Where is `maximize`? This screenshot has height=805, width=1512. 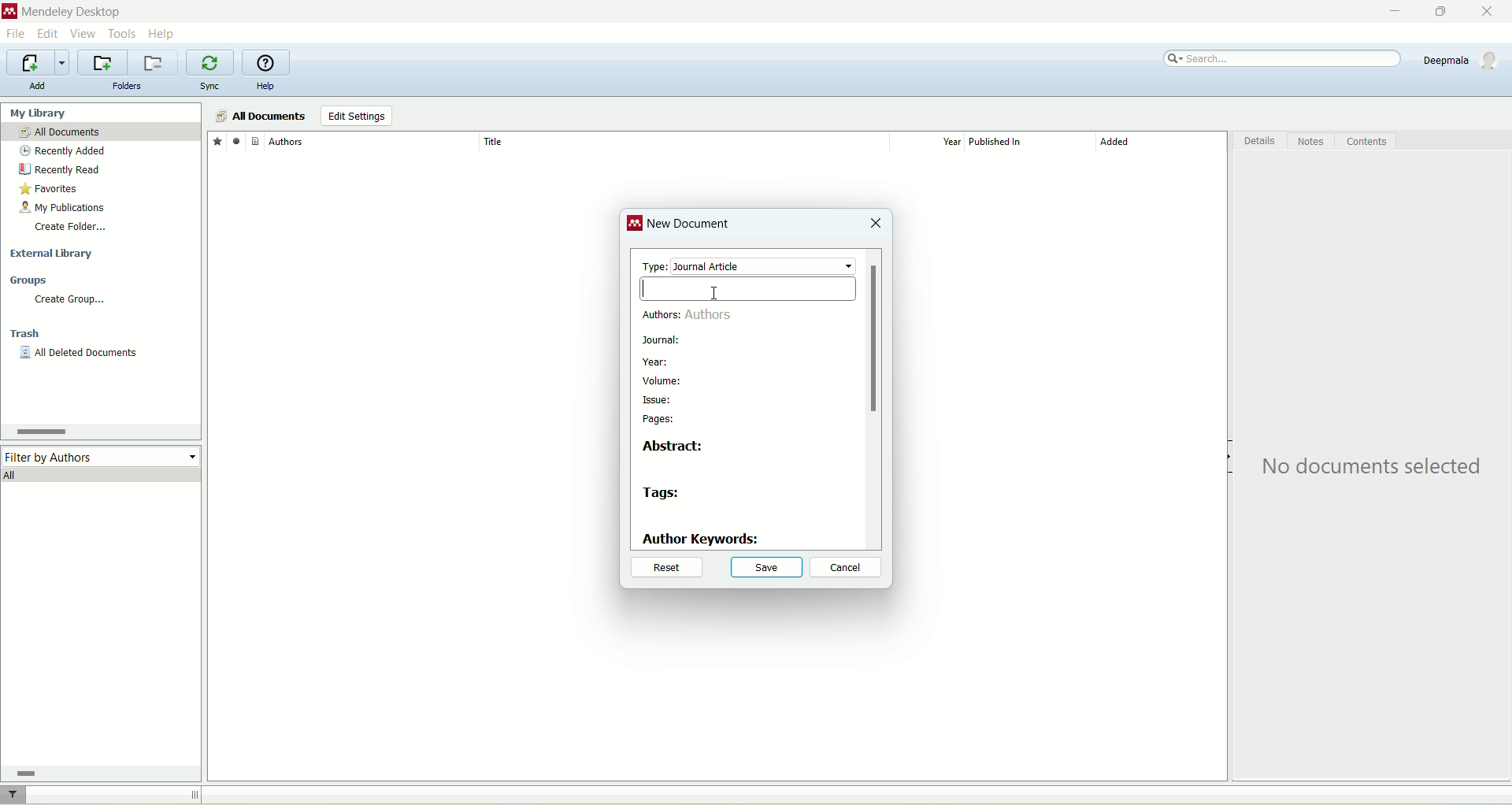 maximize is located at coordinates (1437, 12).